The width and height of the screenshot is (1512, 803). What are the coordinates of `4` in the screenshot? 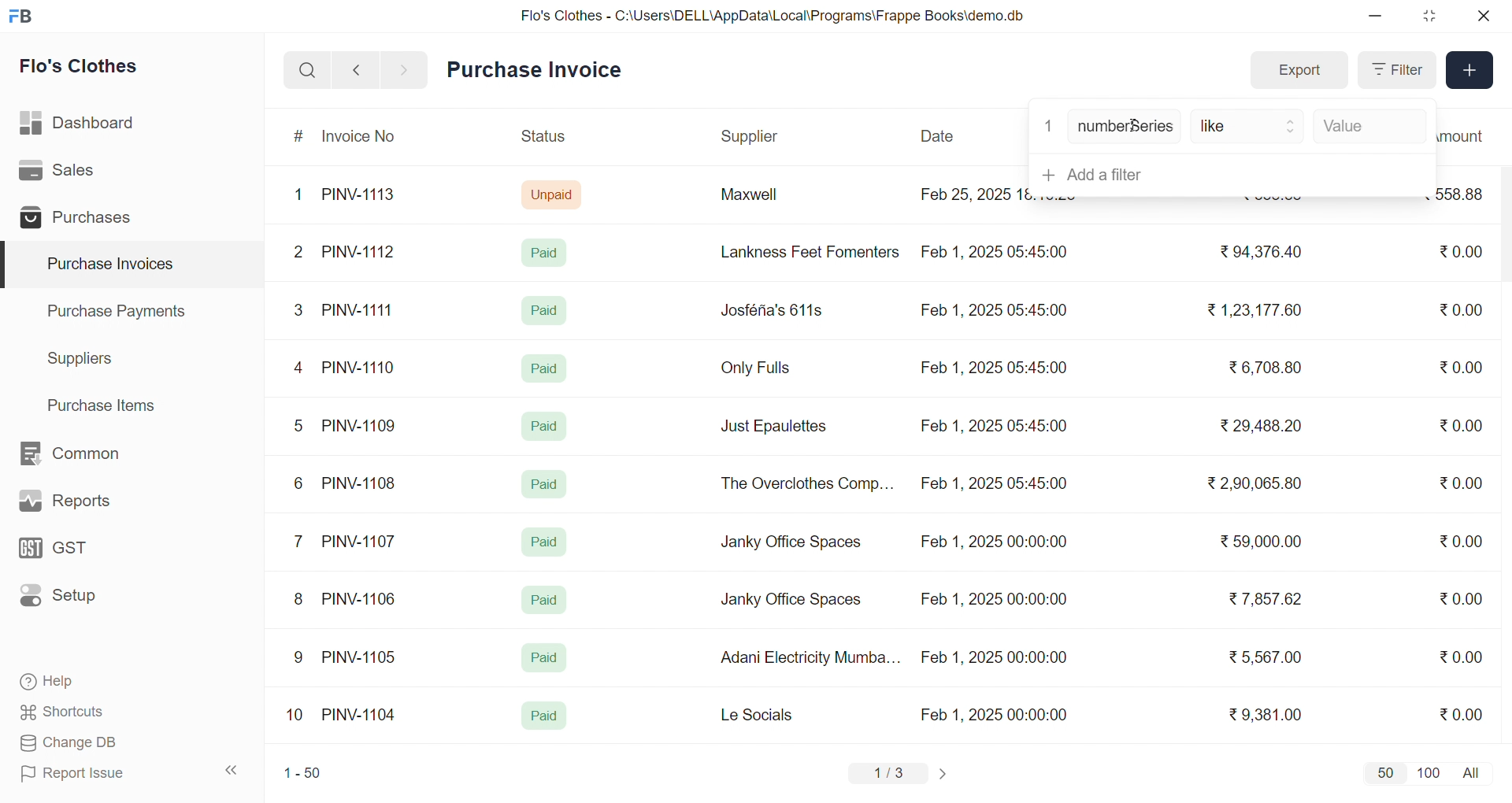 It's located at (302, 368).